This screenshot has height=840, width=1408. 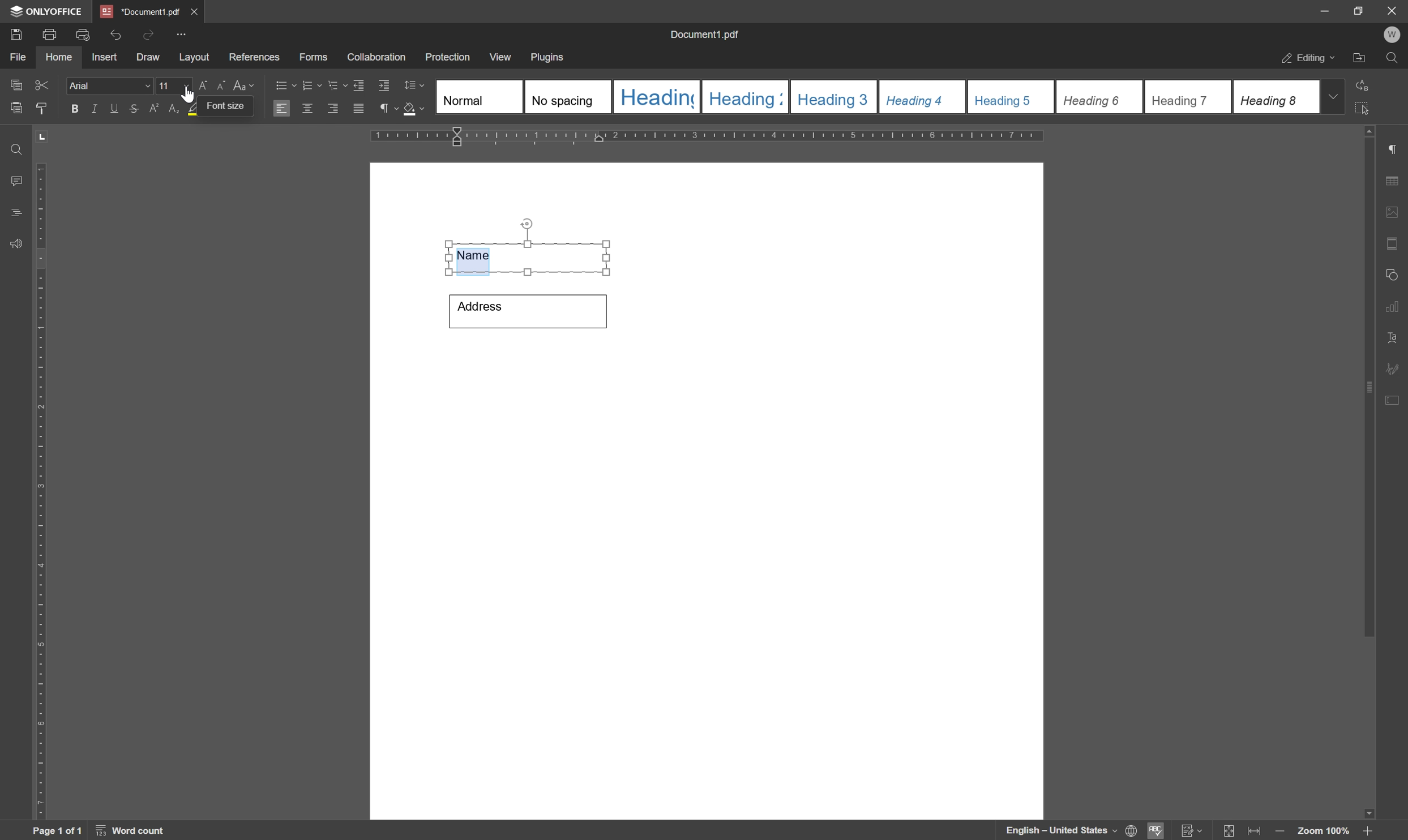 I want to click on redo, so click(x=148, y=33).